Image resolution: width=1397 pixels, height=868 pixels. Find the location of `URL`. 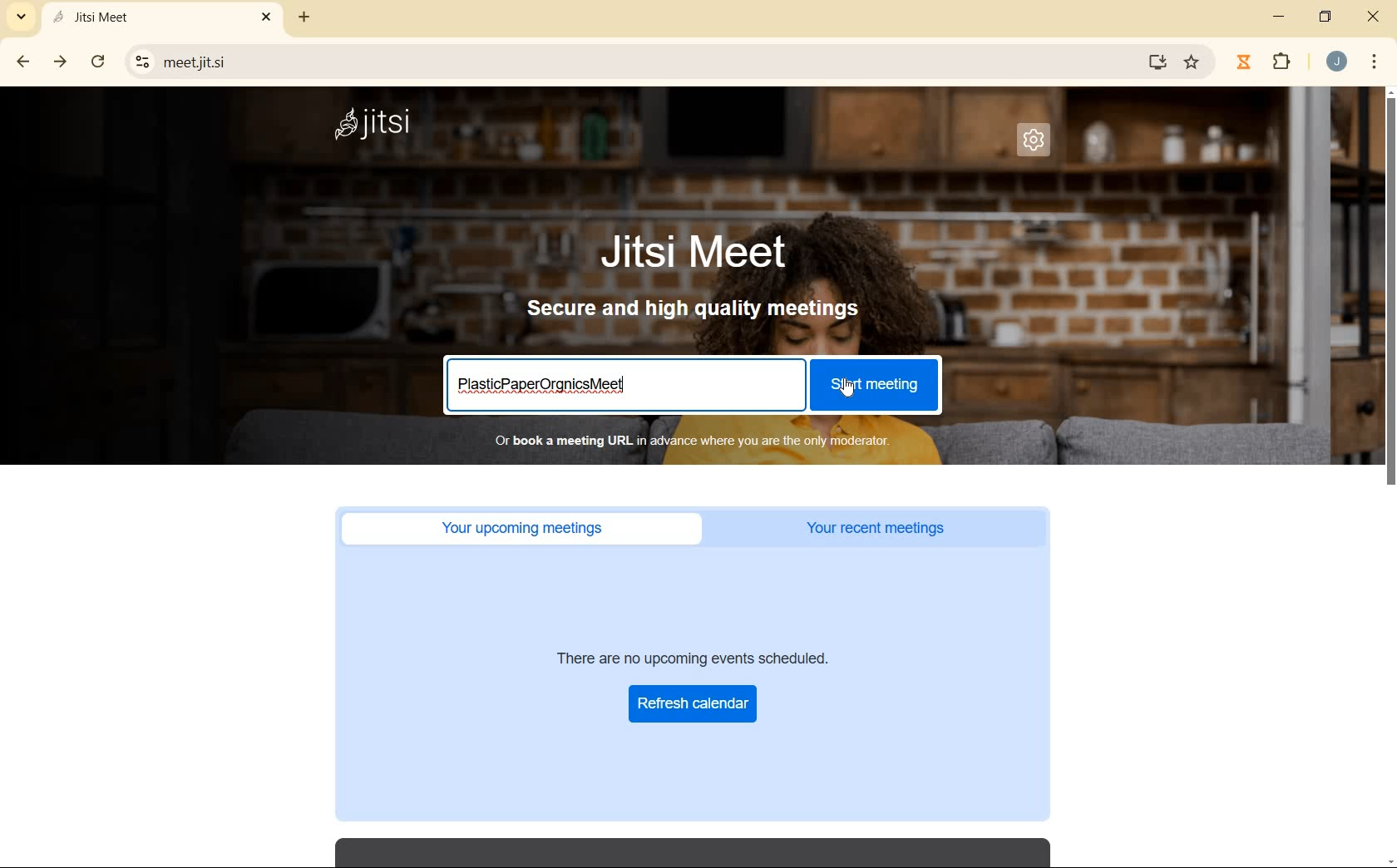

URL is located at coordinates (643, 61).